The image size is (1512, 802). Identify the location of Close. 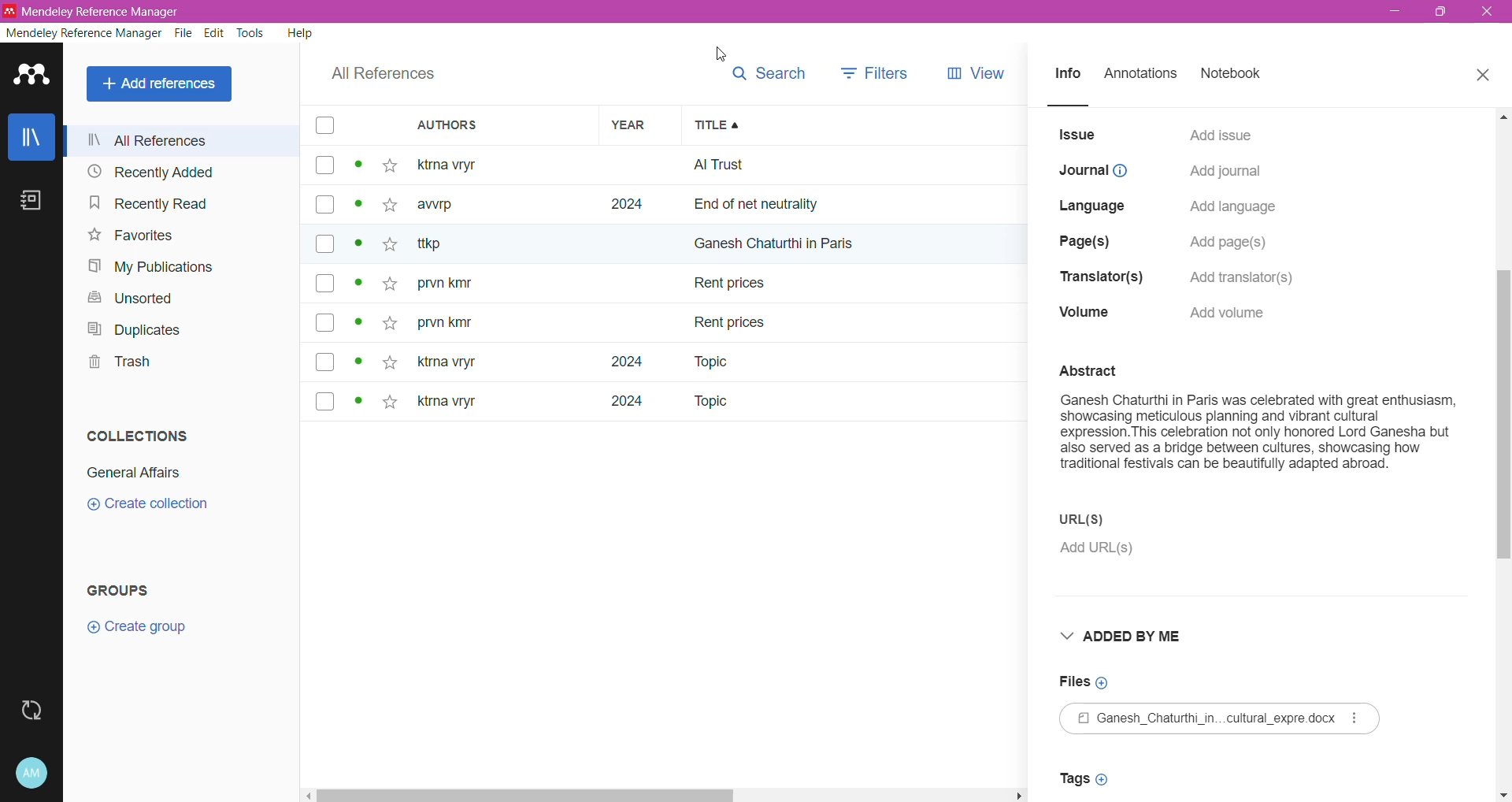
(1484, 76).